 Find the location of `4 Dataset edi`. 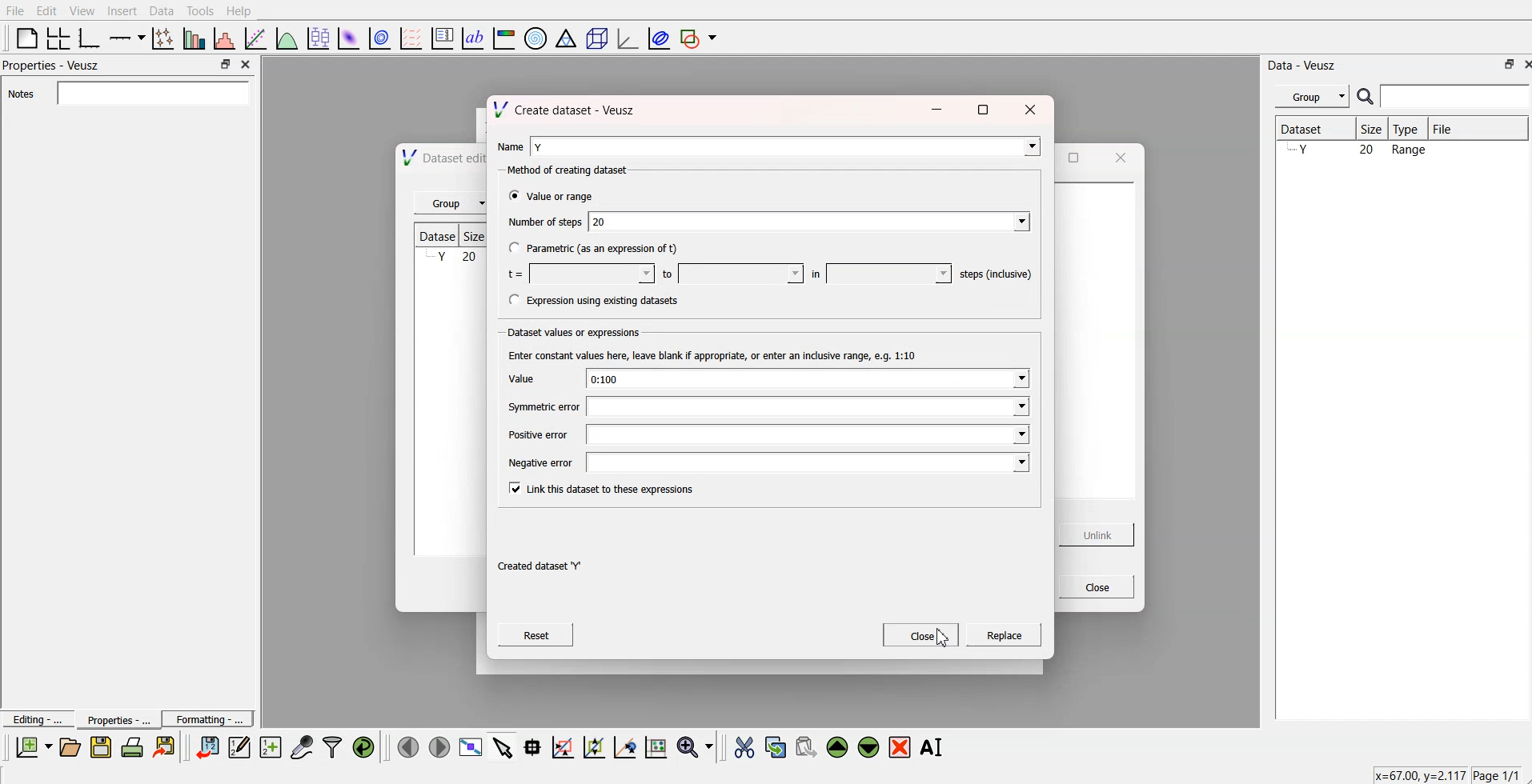

4 Dataset edi is located at coordinates (435, 159).